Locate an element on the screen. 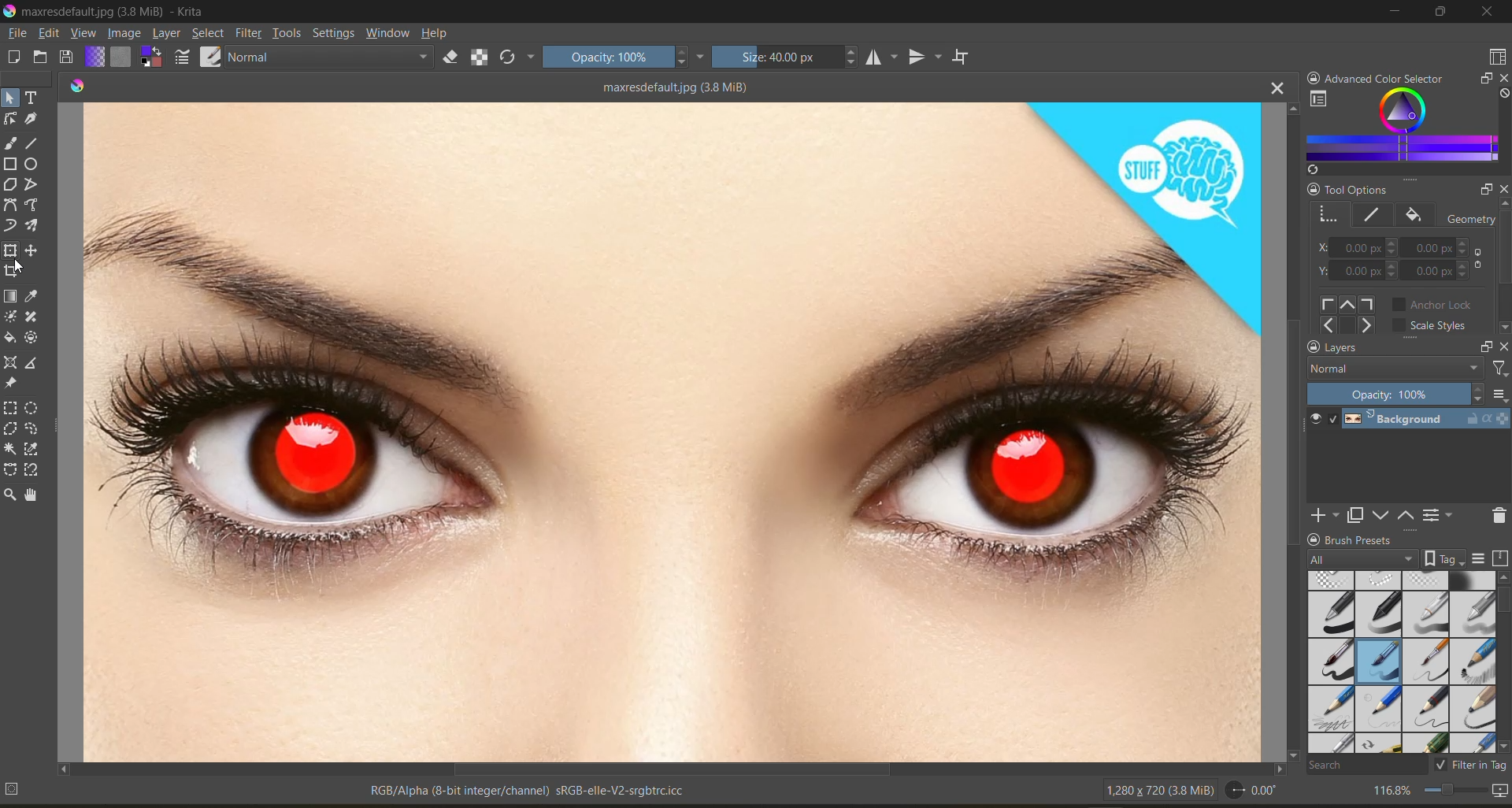 This screenshot has height=808, width=1512. maxresdefault.jpg (3.8 MiB) is located at coordinates (671, 86).